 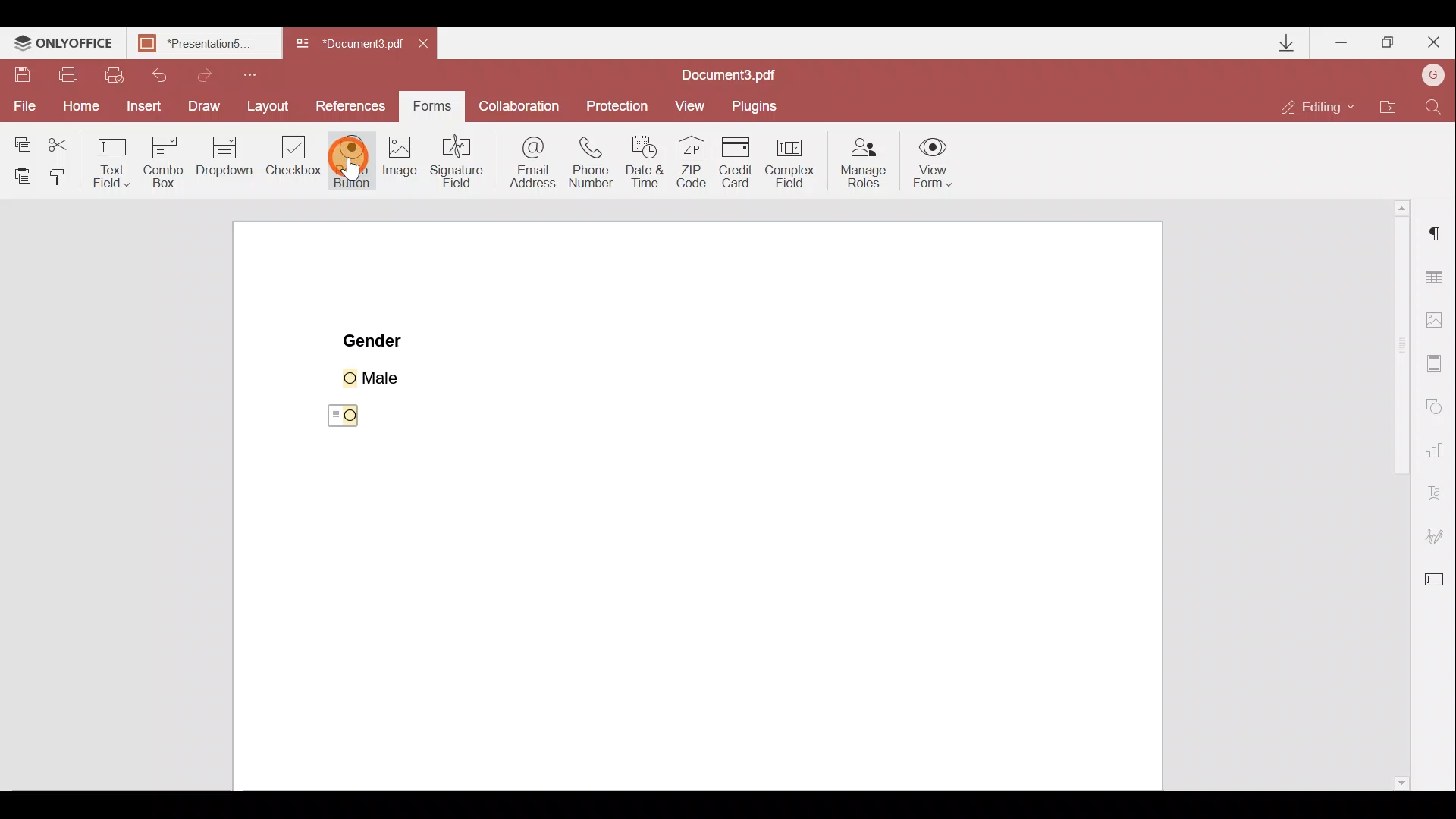 What do you see at coordinates (1323, 101) in the screenshot?
I see `Editing mode` at bounding box center [1323, 101].